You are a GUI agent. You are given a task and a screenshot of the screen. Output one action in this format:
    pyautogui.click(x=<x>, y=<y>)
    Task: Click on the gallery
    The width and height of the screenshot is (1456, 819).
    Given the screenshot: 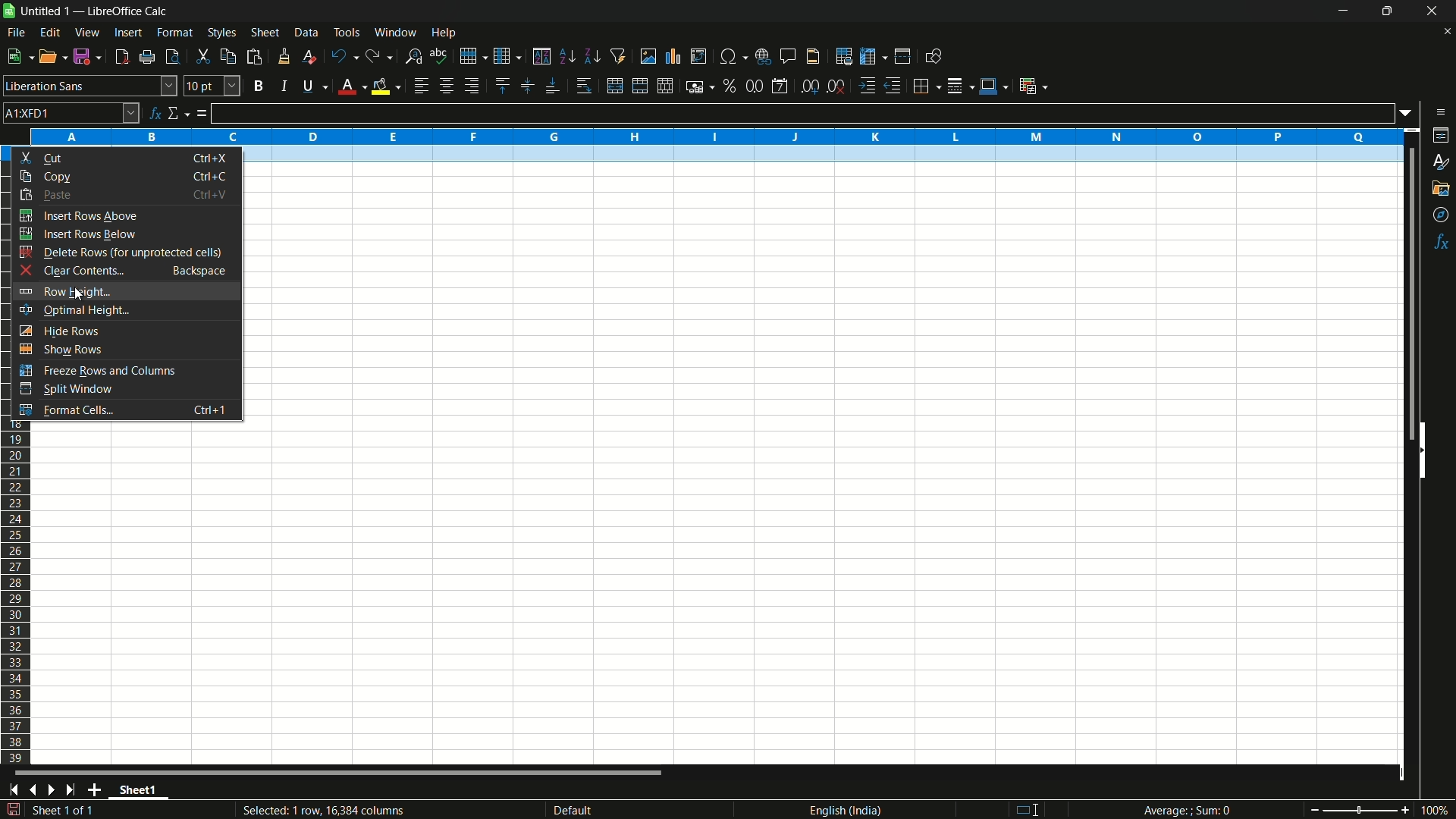 What is the action you would take?
    pyautogui.click(x=1442, y=188)
    